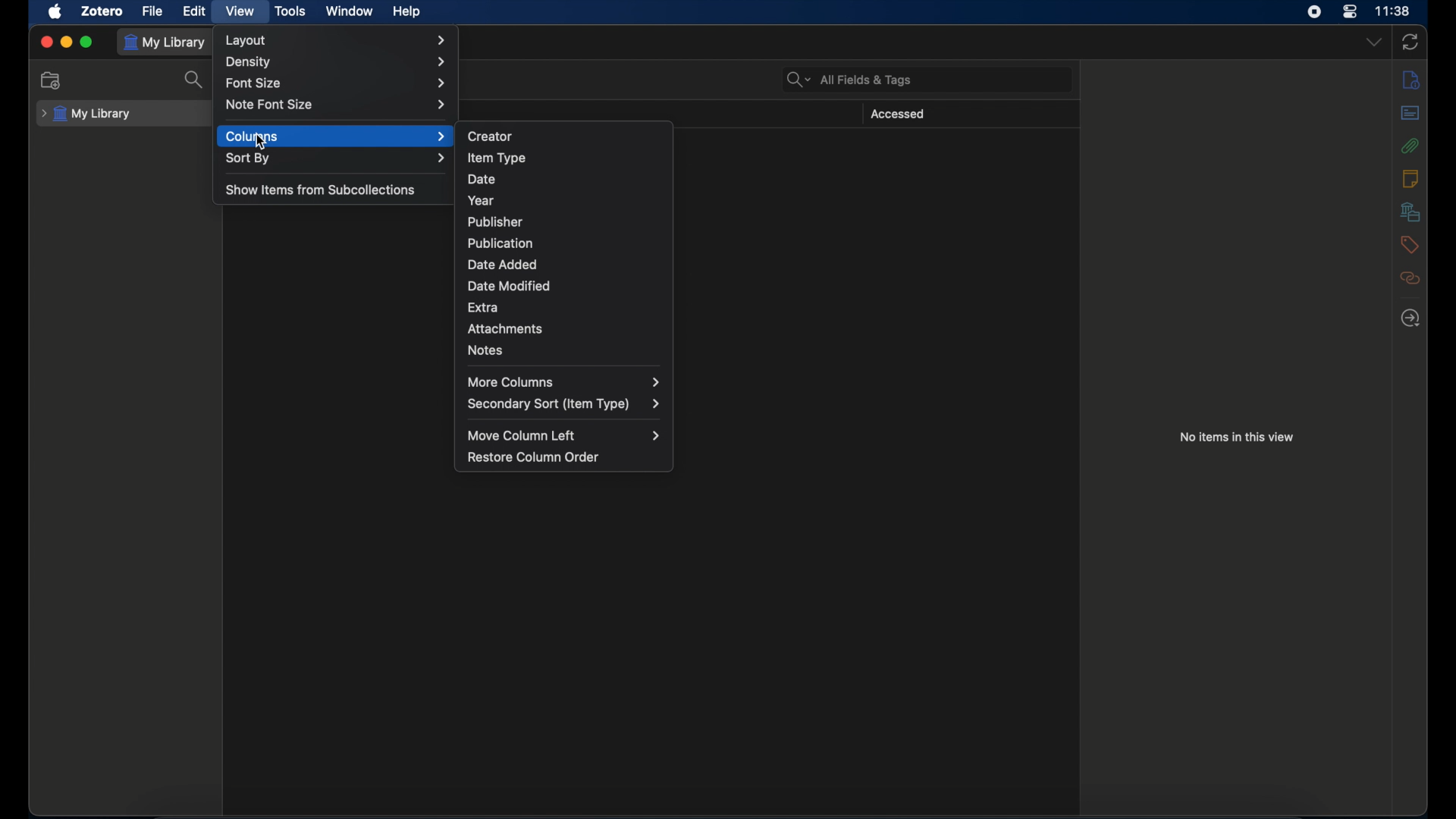  What do you see at coordinates (336, 158) in the screenshot?
I see `sort by` at bounding box center [336, 158].